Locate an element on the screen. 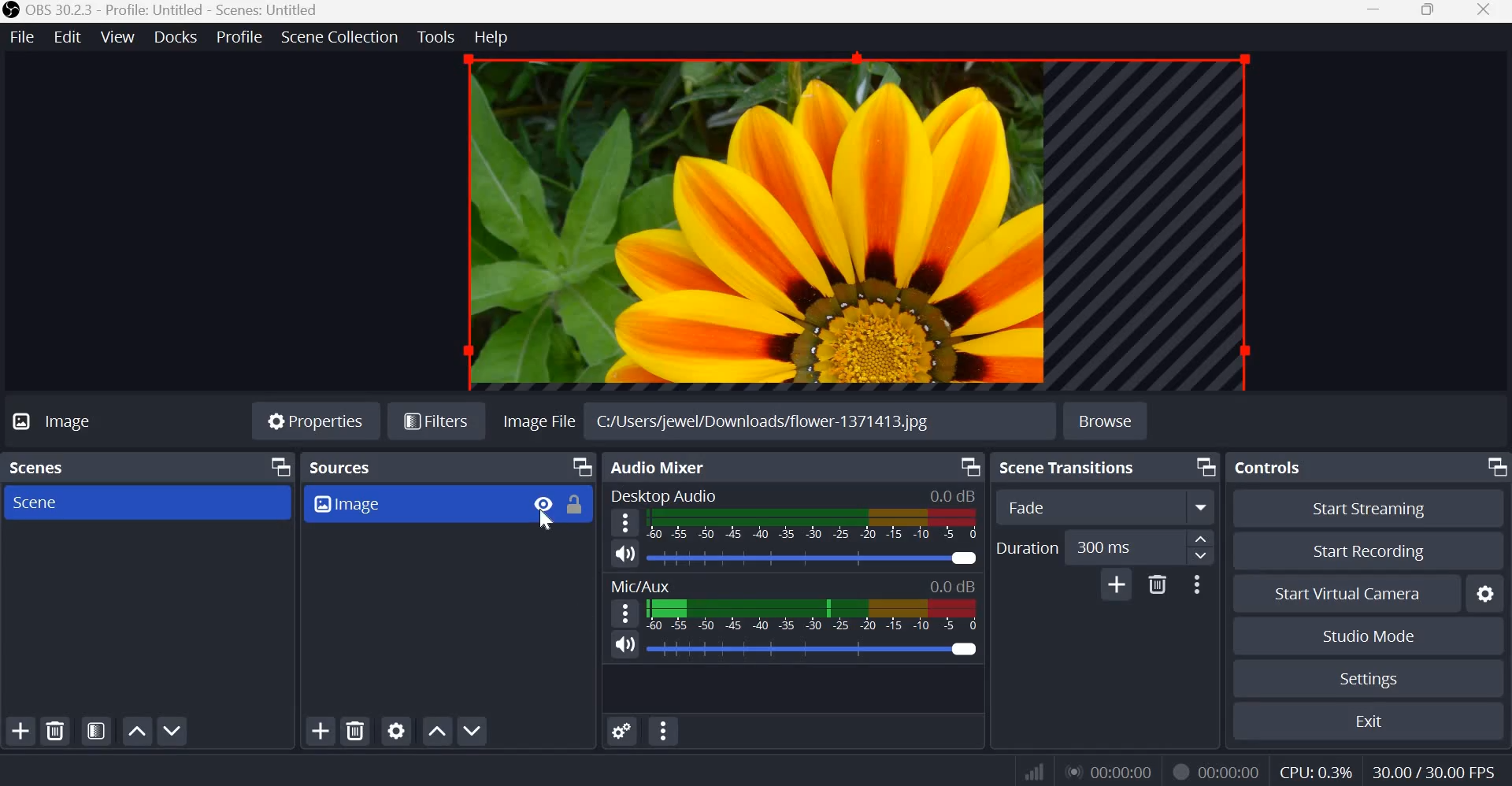  increase duration is located at coordinates (1200, 536).